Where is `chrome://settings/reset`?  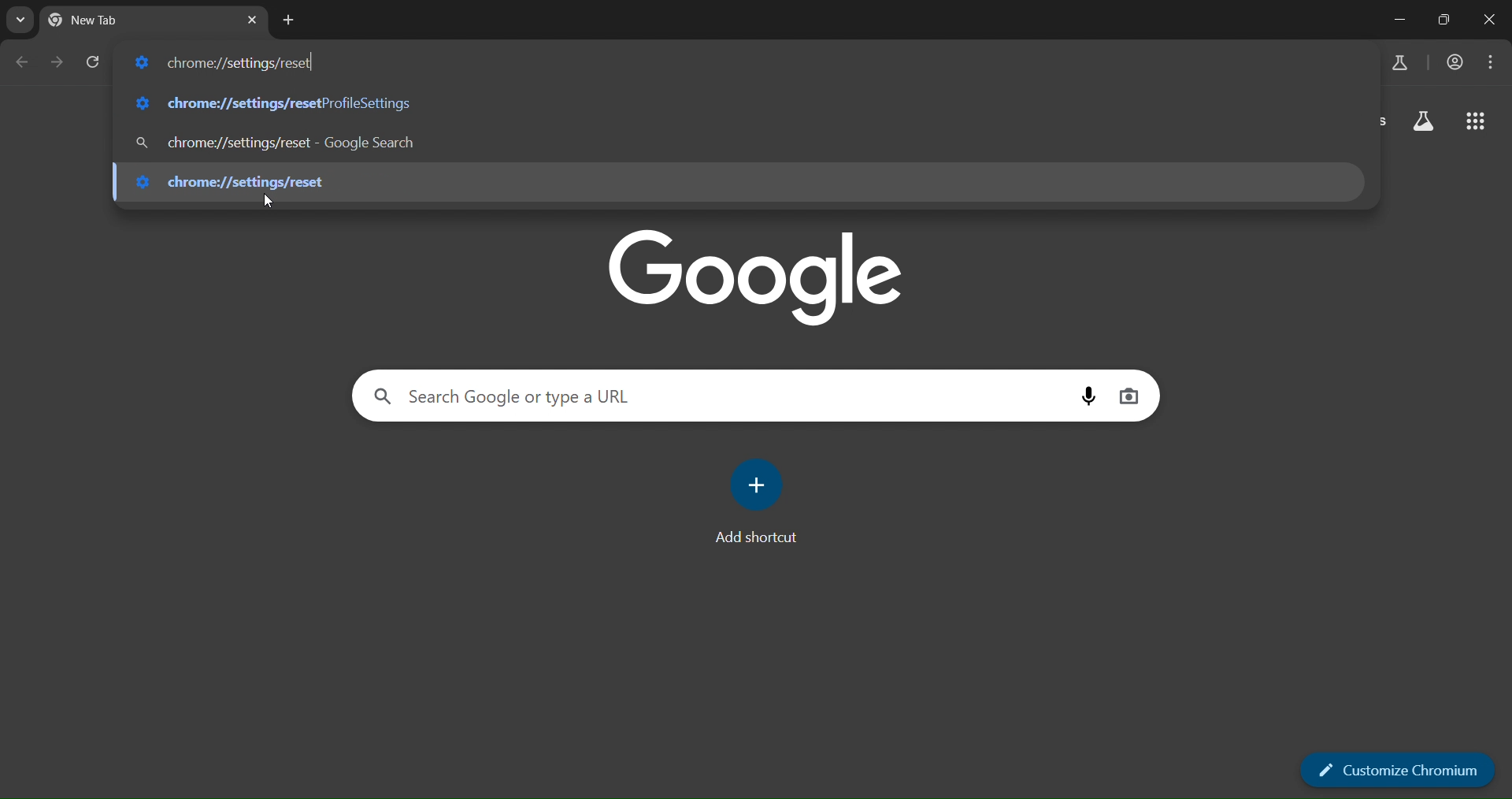
chrome://settings/reset is located at coordinates (228, 61).